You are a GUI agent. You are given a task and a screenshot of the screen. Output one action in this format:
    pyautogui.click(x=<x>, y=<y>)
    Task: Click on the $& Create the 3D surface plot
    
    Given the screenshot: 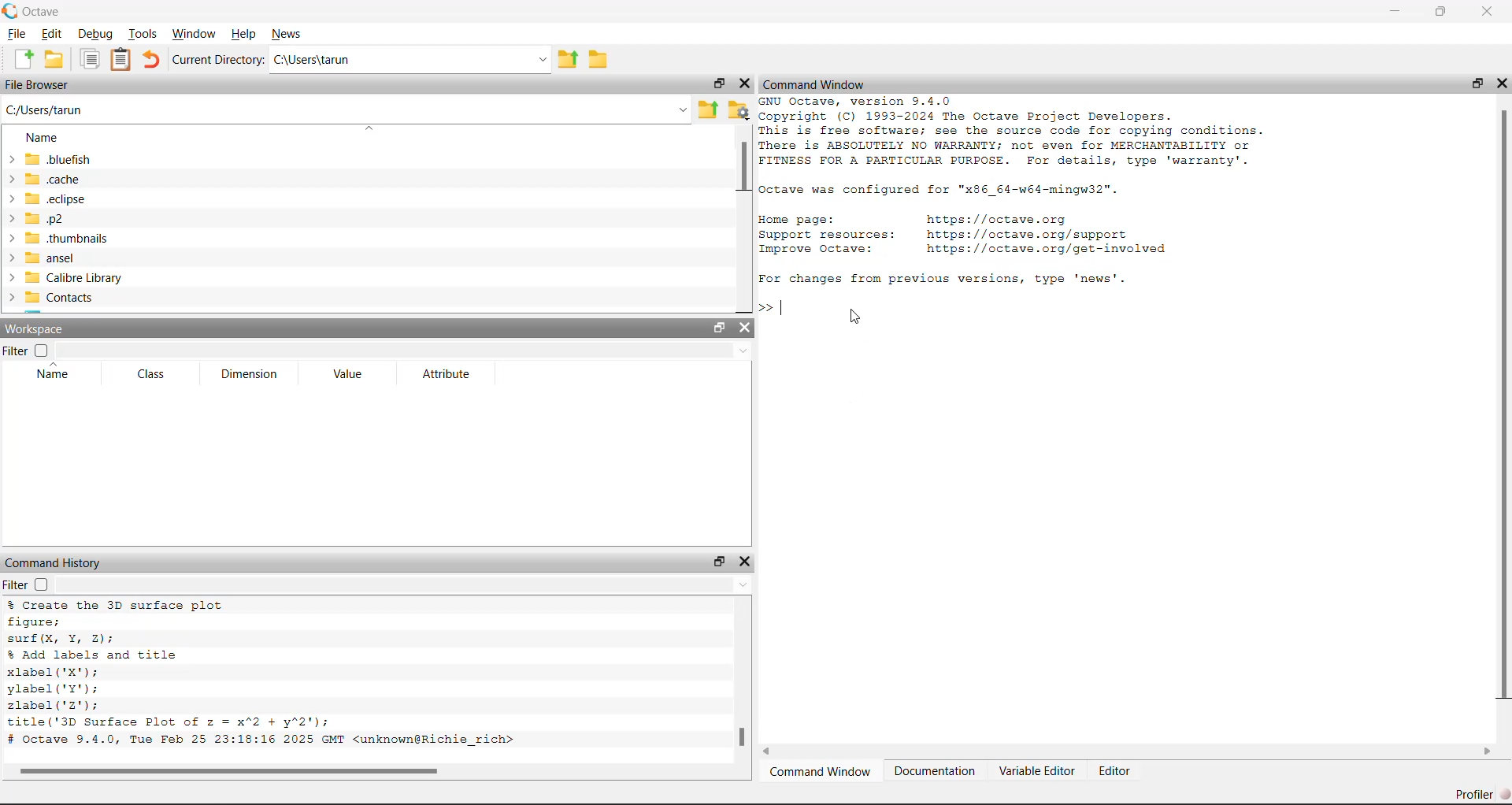 What is the action you would take?
    pyautogui.click(x=124, y=605)
    